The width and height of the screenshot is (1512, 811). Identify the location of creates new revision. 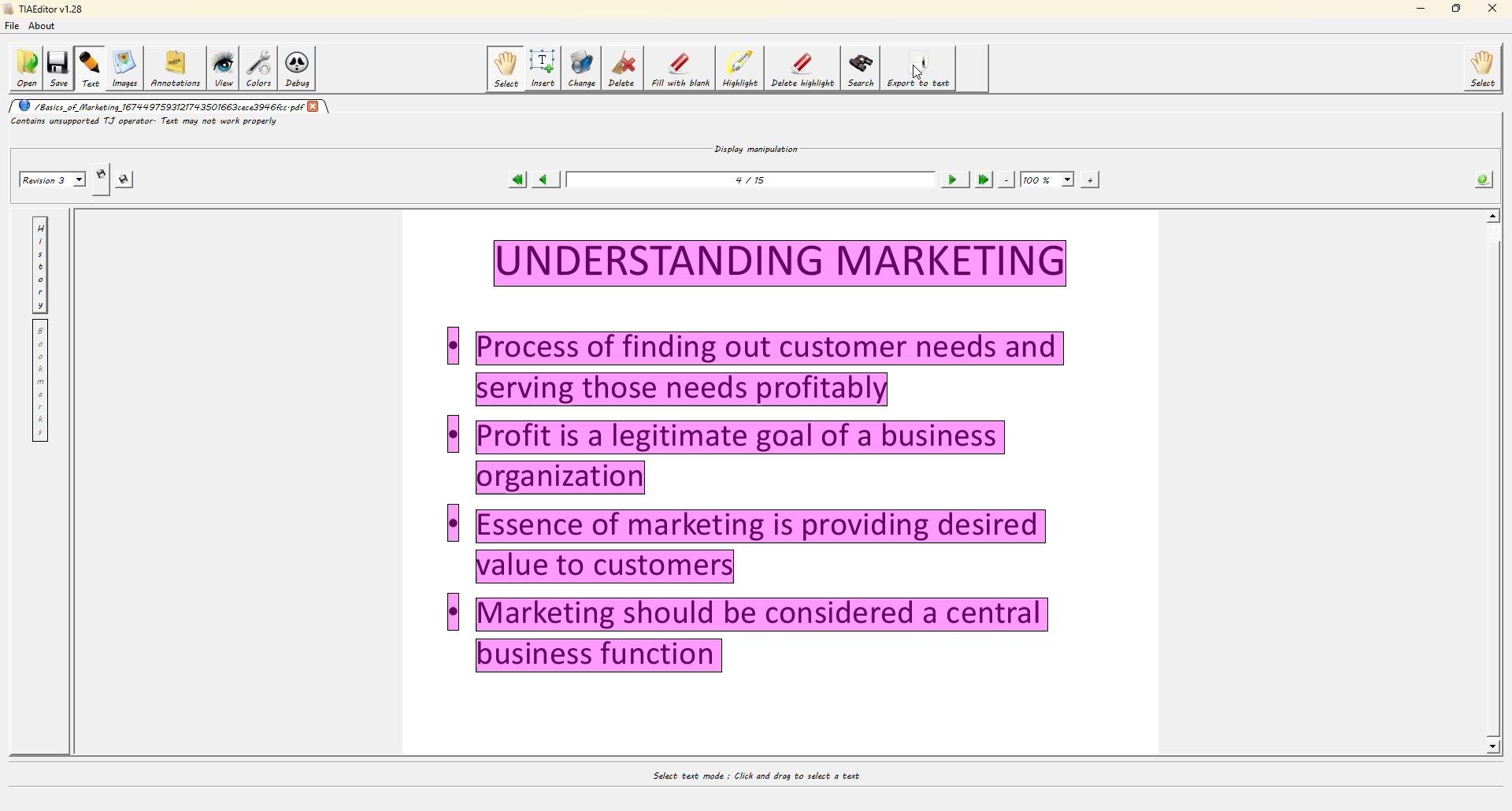
(102, 172).